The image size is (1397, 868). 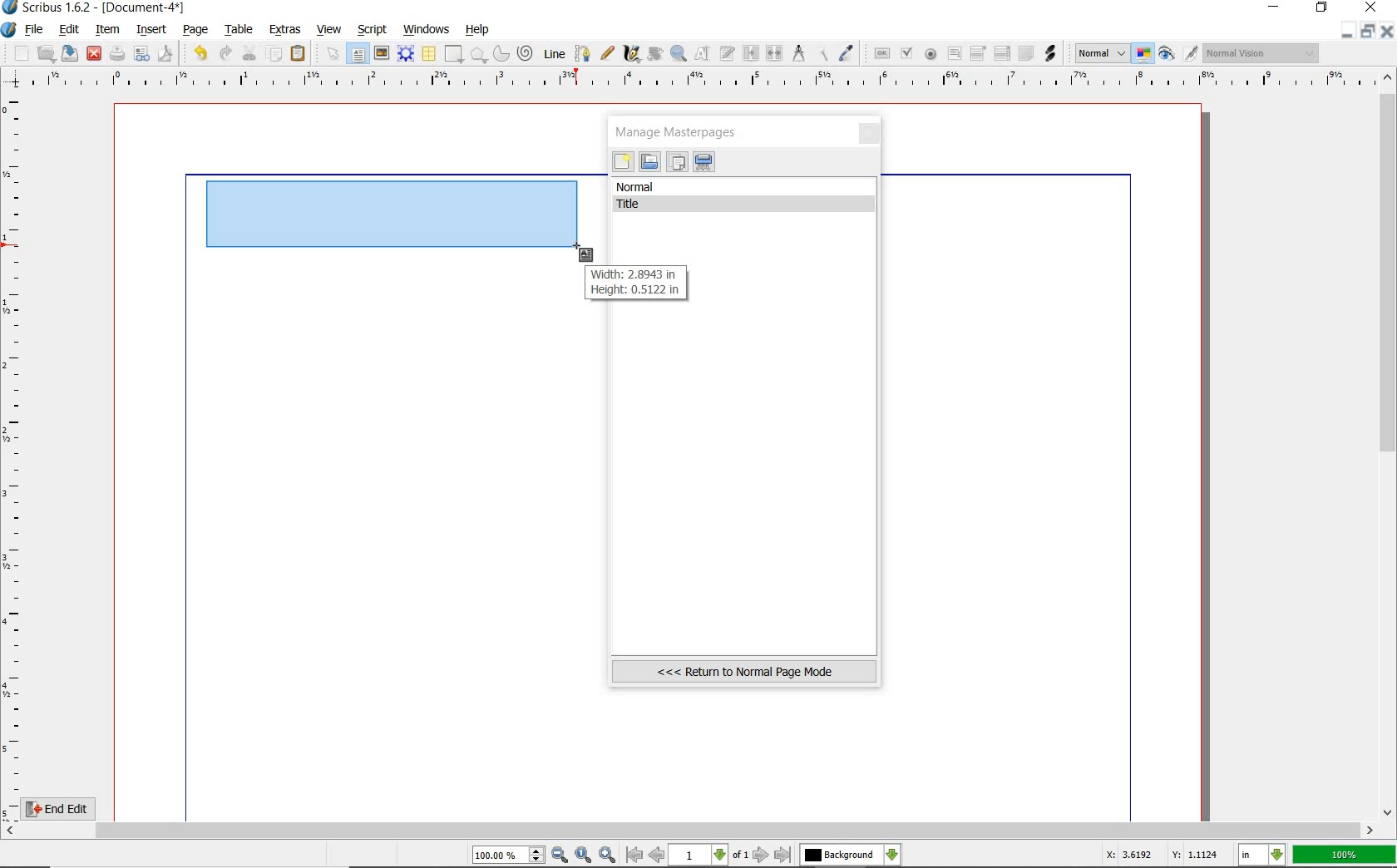 What do you see at coordinates (117, 53) in the screenshot?
I see `print` at bounding box center [117, 53].